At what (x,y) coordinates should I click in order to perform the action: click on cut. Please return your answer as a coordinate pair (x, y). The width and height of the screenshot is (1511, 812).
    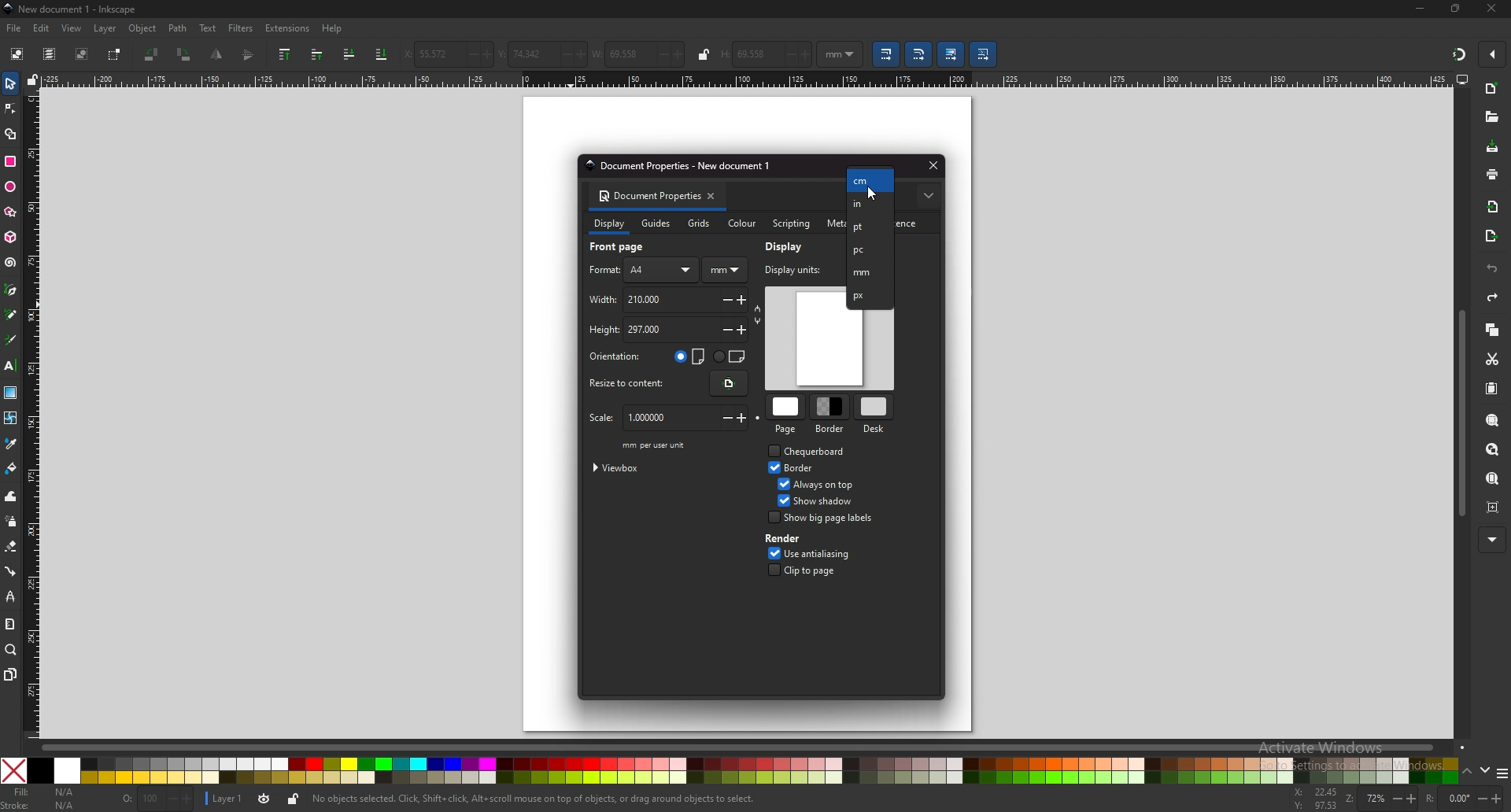
    Looking at the image, I should click on (1492, 360).